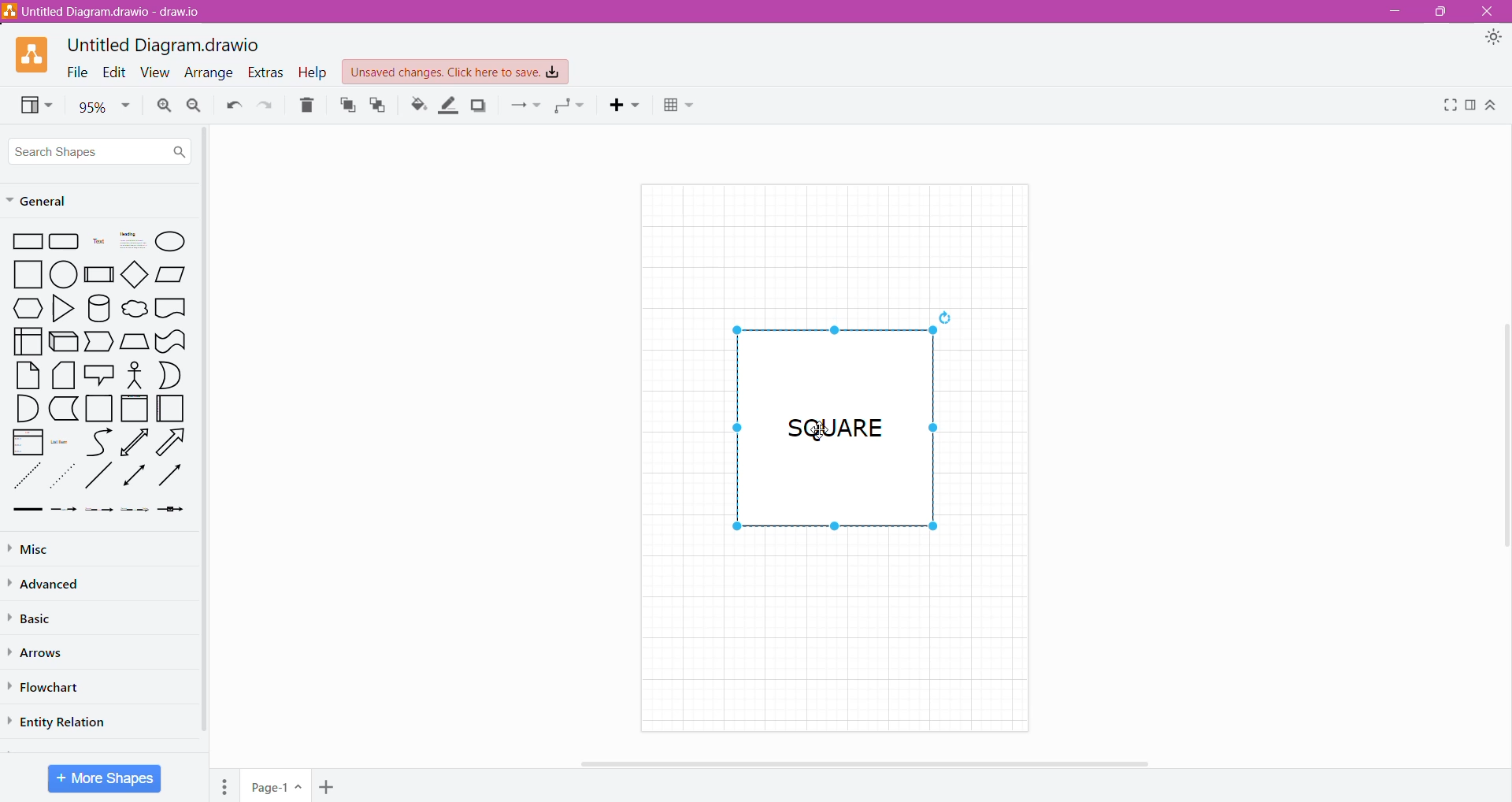 Image resolution: width=1512 pixels, height=802 pixels. Describe the element at coordinates (98, 443) in the screenshot. I see `Curved Line ` at that location.